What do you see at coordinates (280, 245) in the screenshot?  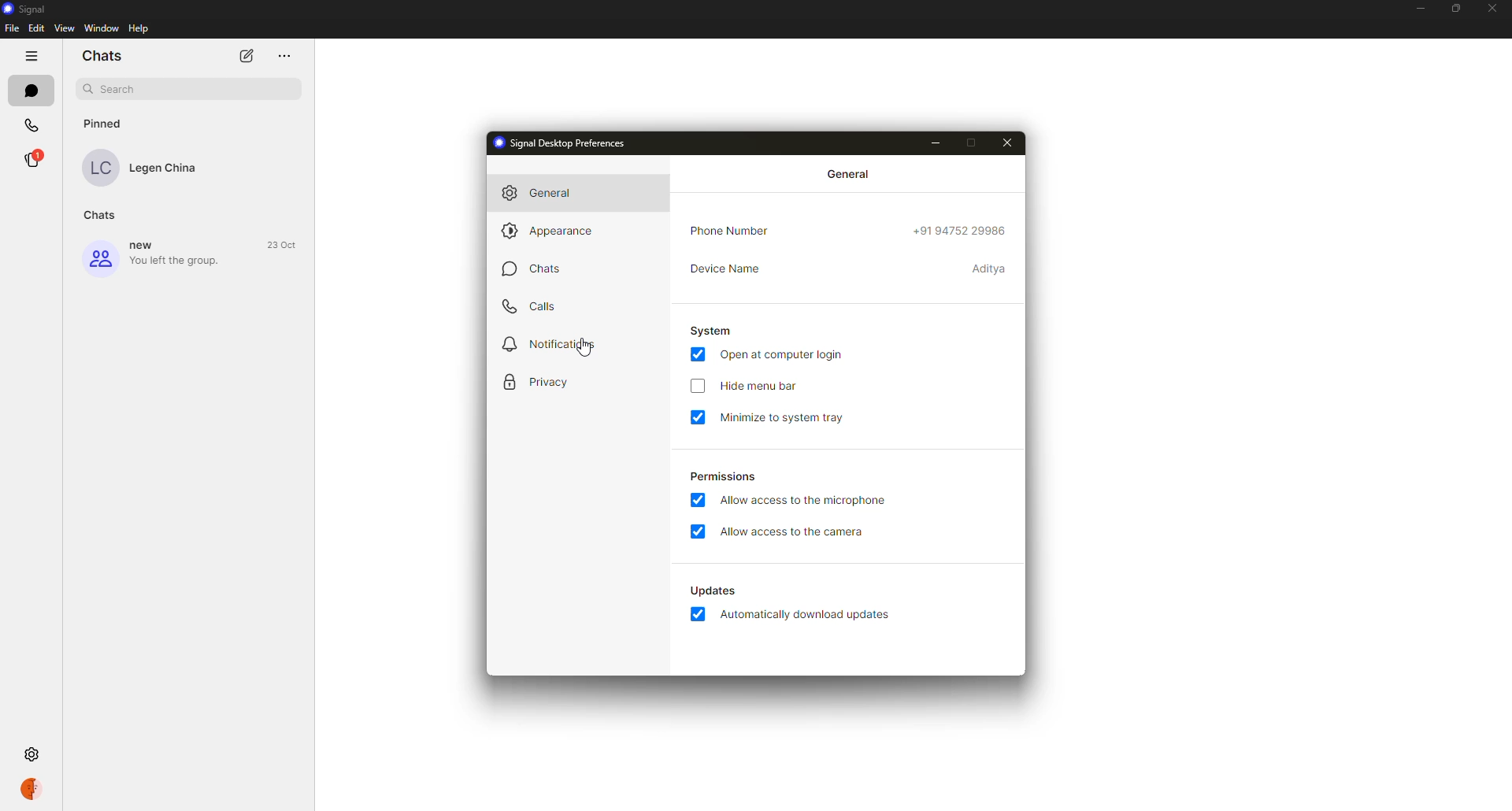 I see `23 Oct` at bounding box center [280, 245].